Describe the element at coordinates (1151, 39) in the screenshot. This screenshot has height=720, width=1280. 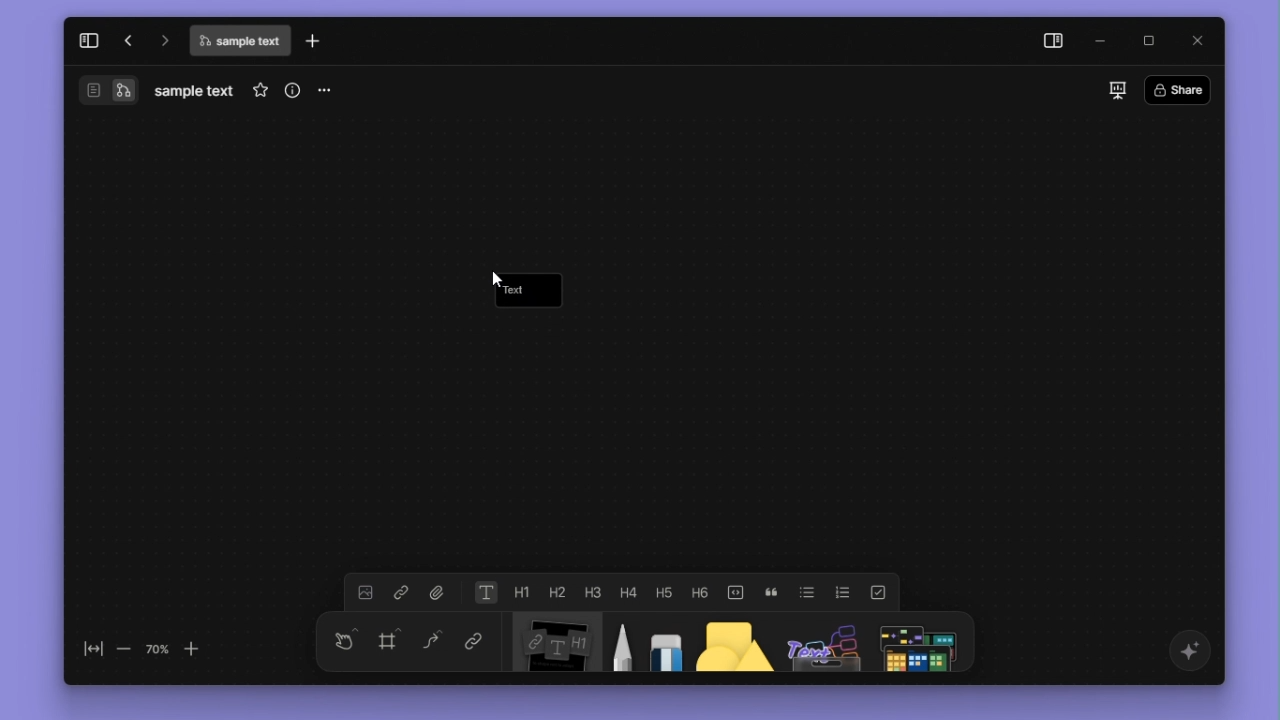
I see `maximize` at that location.